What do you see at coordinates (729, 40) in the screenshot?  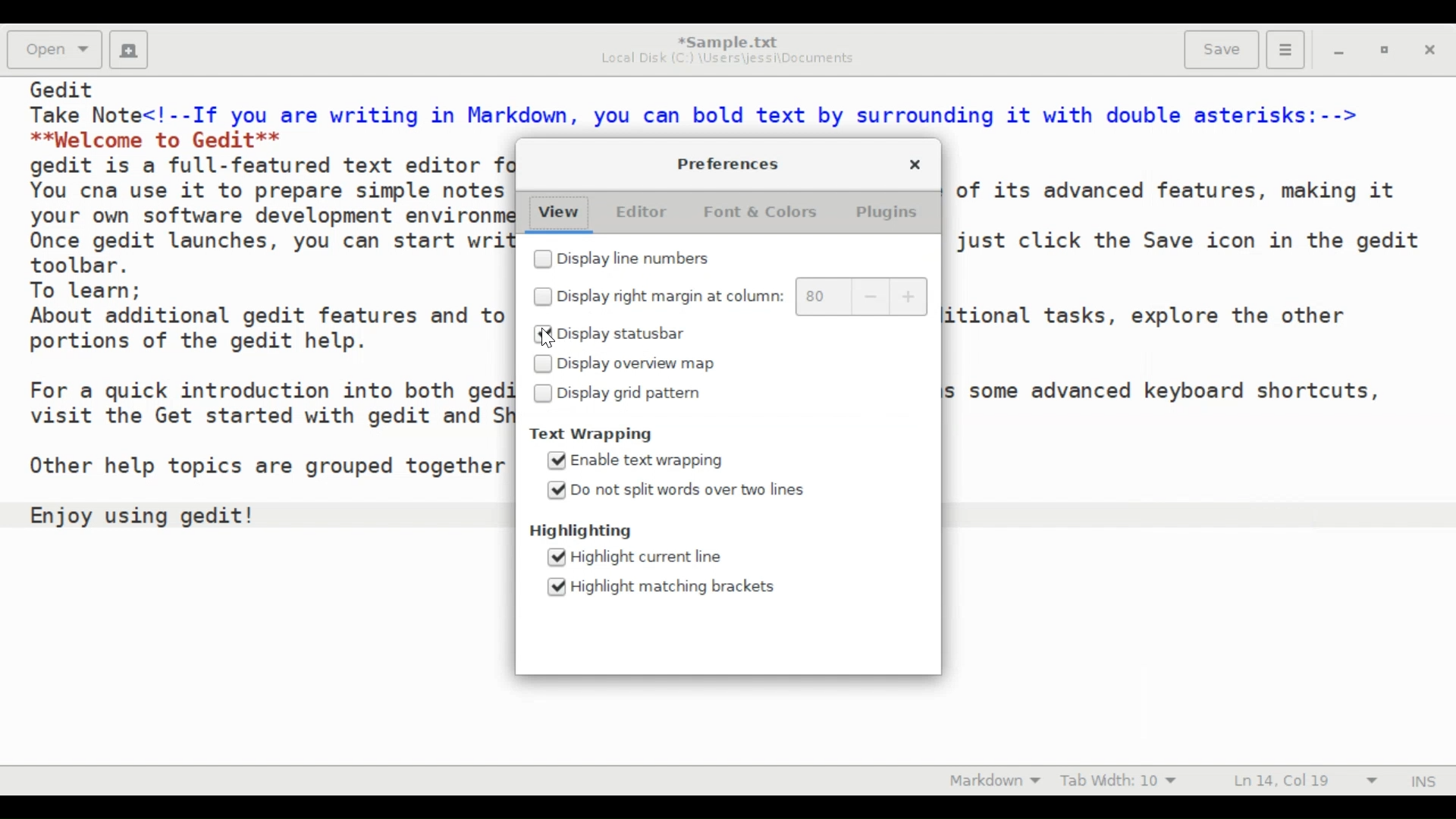 I see `*Sample.txt` at bounding box center [729, 40].